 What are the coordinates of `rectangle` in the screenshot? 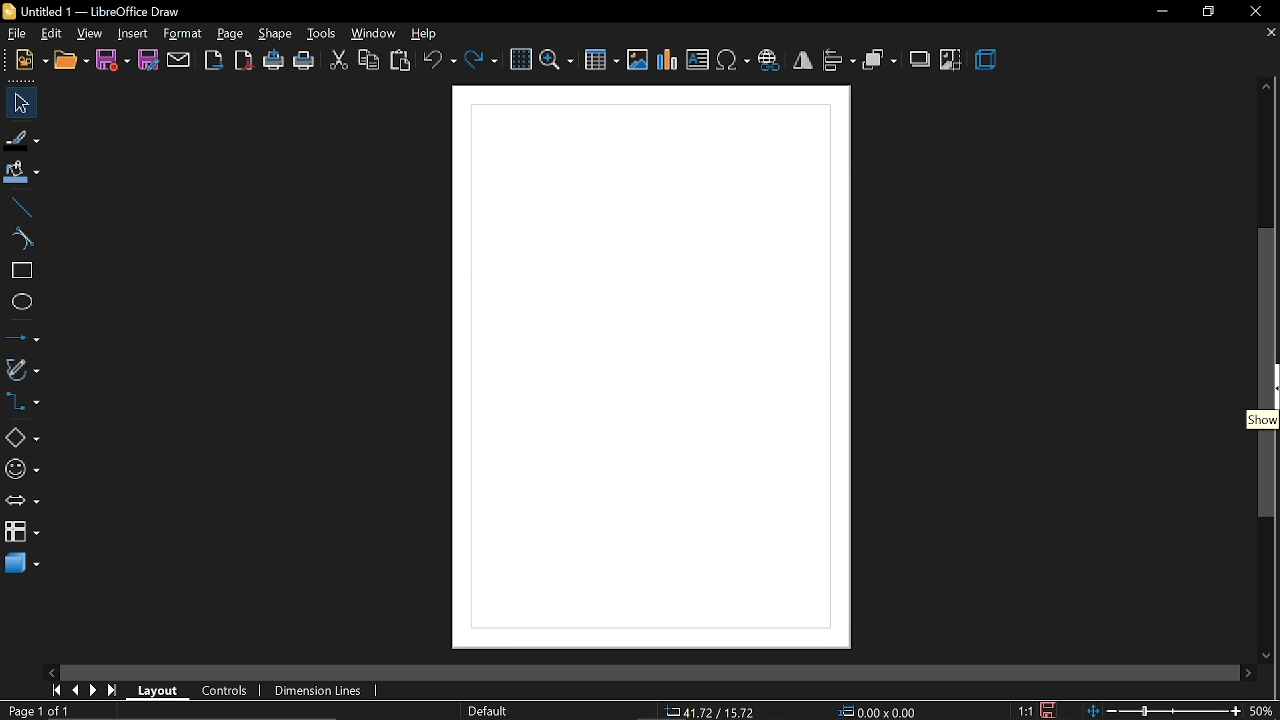 It's located at (20, 273).